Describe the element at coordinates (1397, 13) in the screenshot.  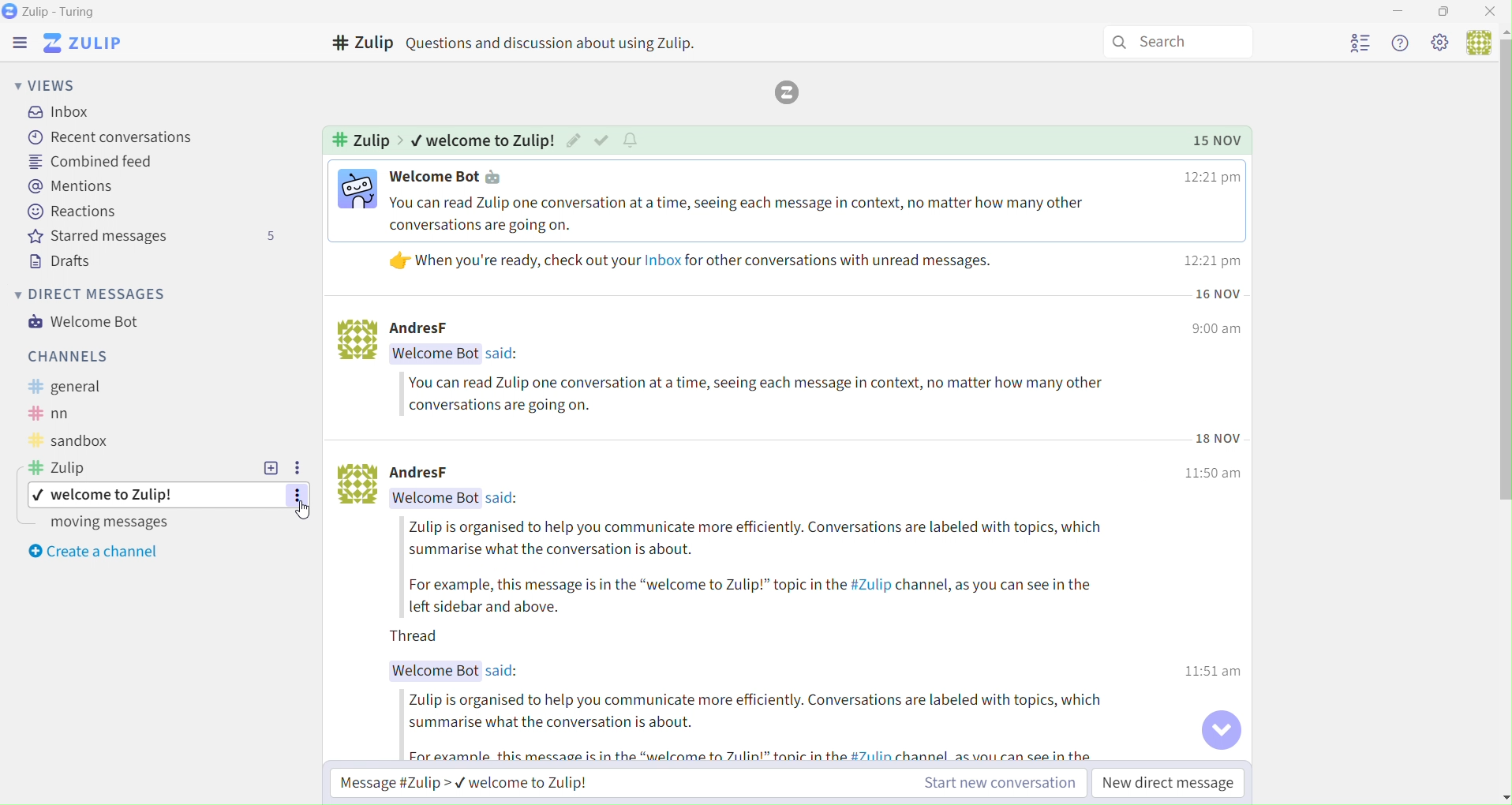
I see `Minimize` at that location.